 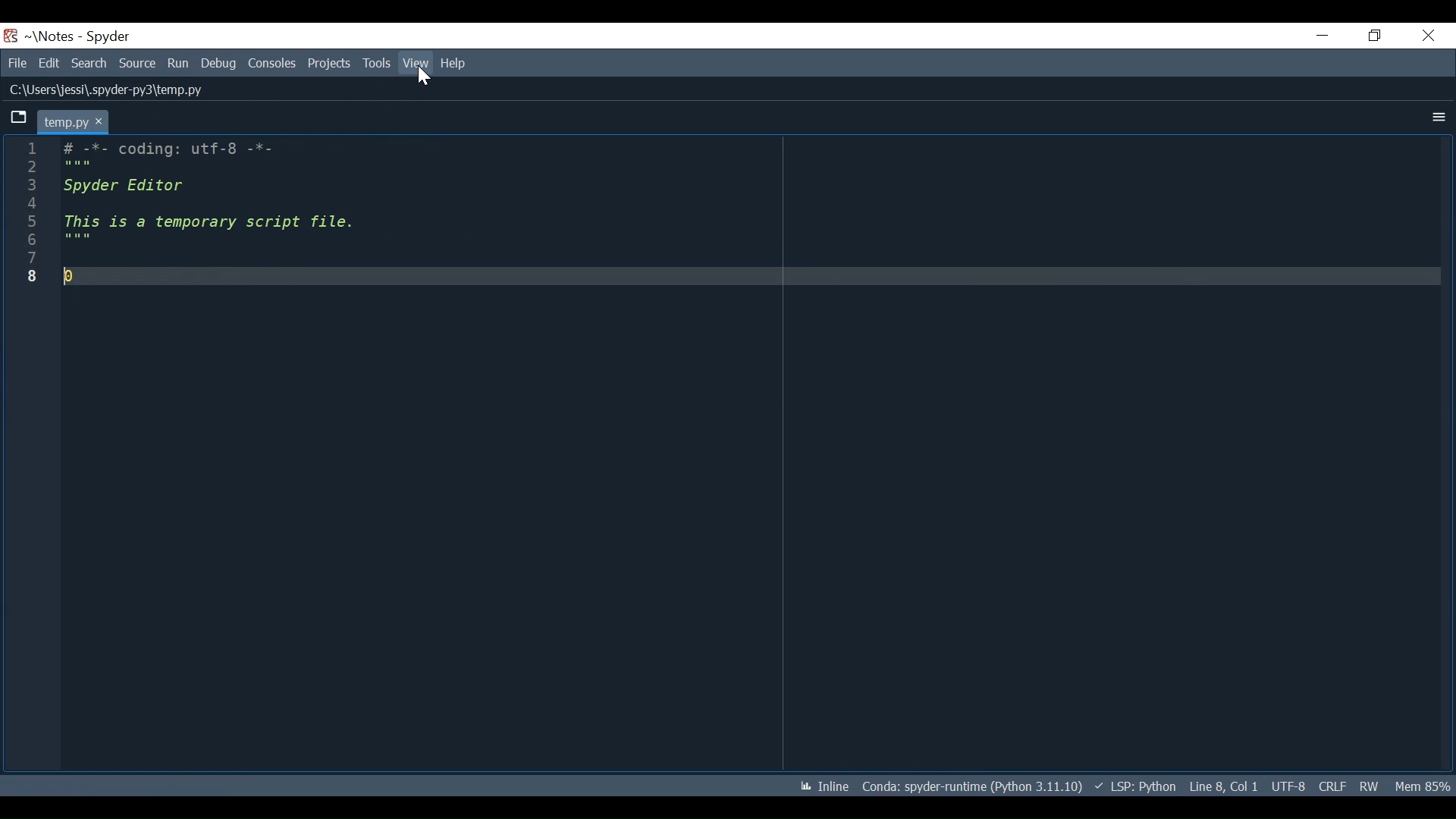 What do you see at coordinates (415, 63) in the screenshot?
I see `View` at bounding box center [415, 63].